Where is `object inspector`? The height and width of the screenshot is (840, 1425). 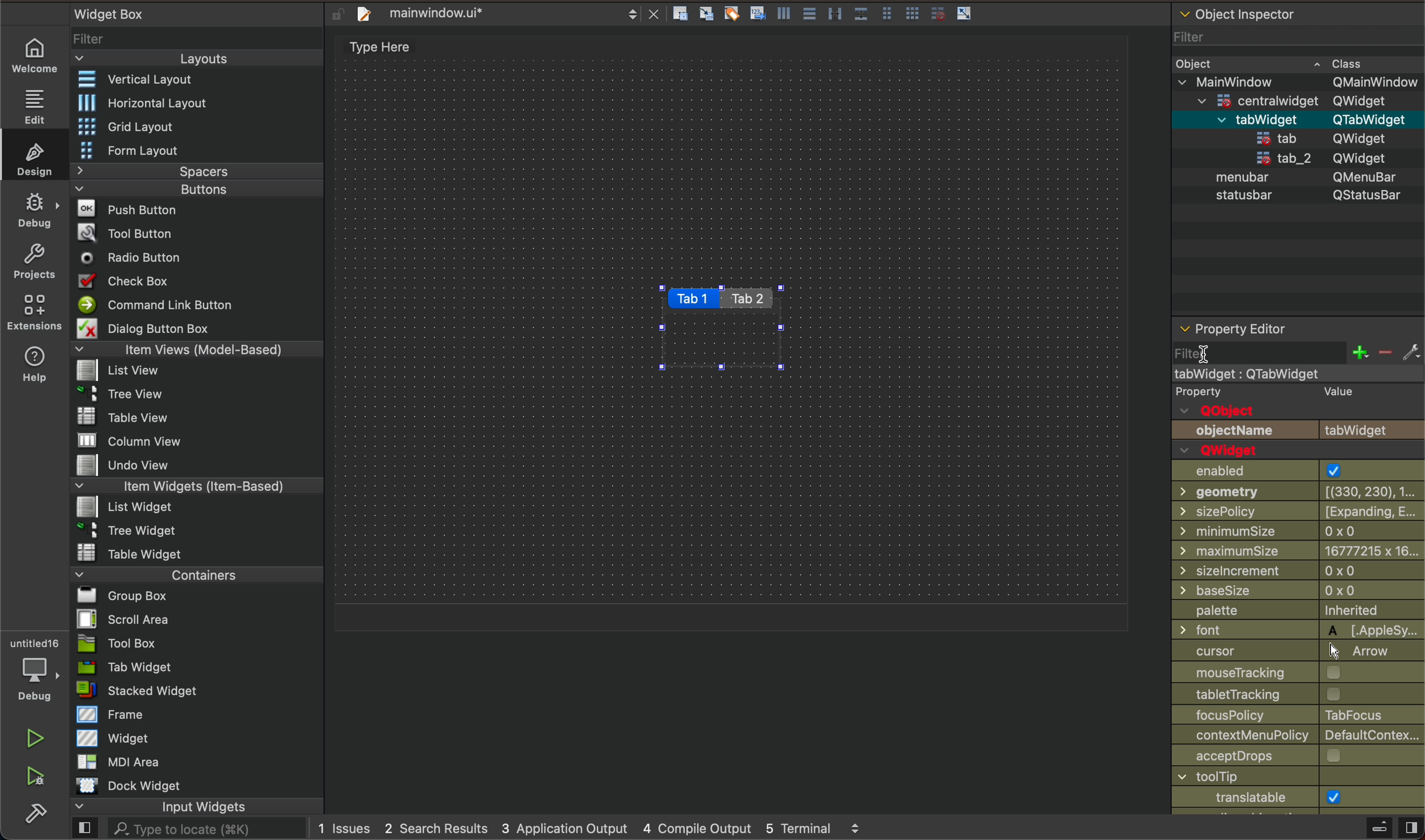
object inspector is located at coordinates (1298, 16).